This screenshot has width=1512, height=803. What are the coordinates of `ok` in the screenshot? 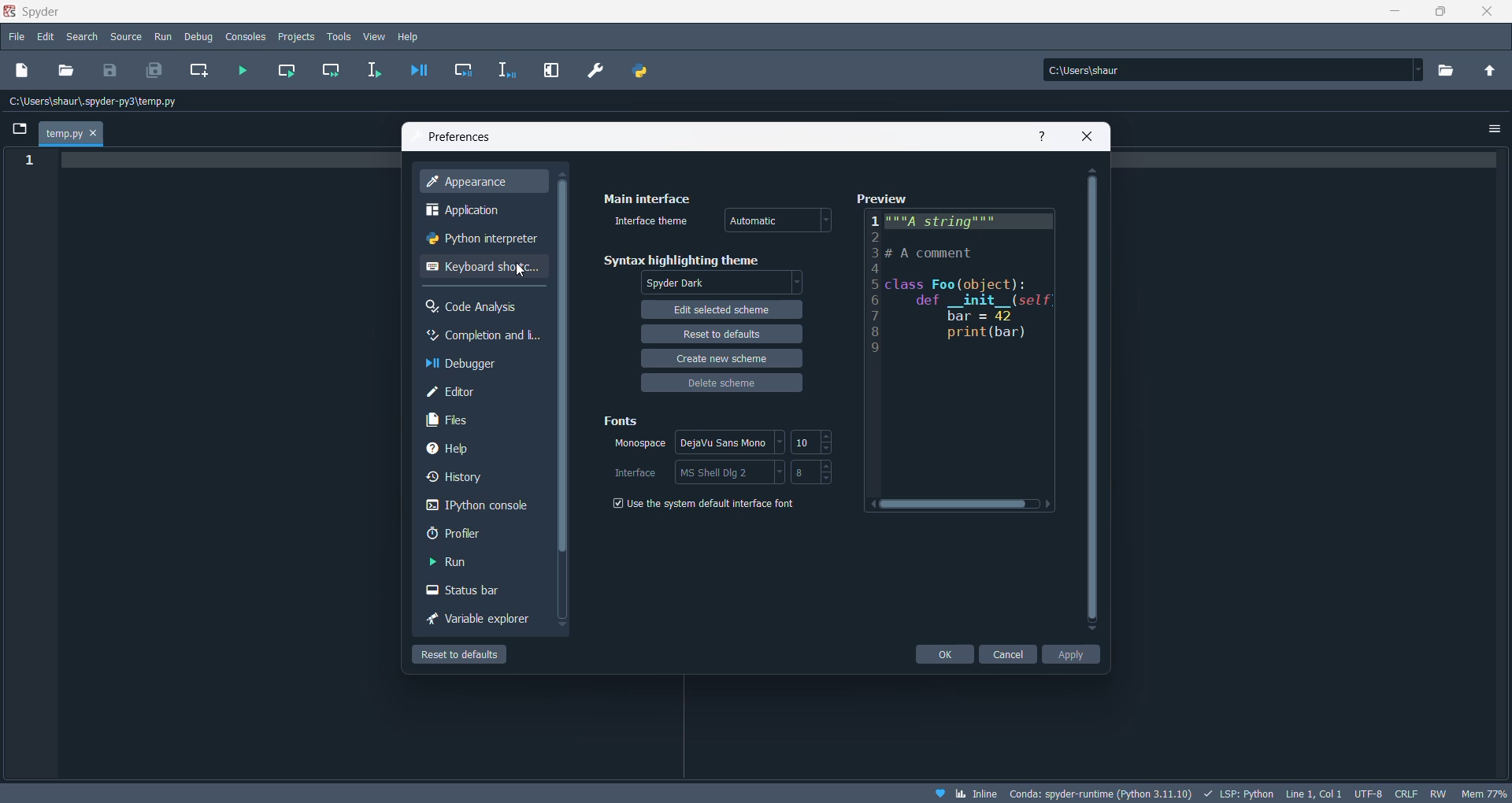 It's located at (942, 654).